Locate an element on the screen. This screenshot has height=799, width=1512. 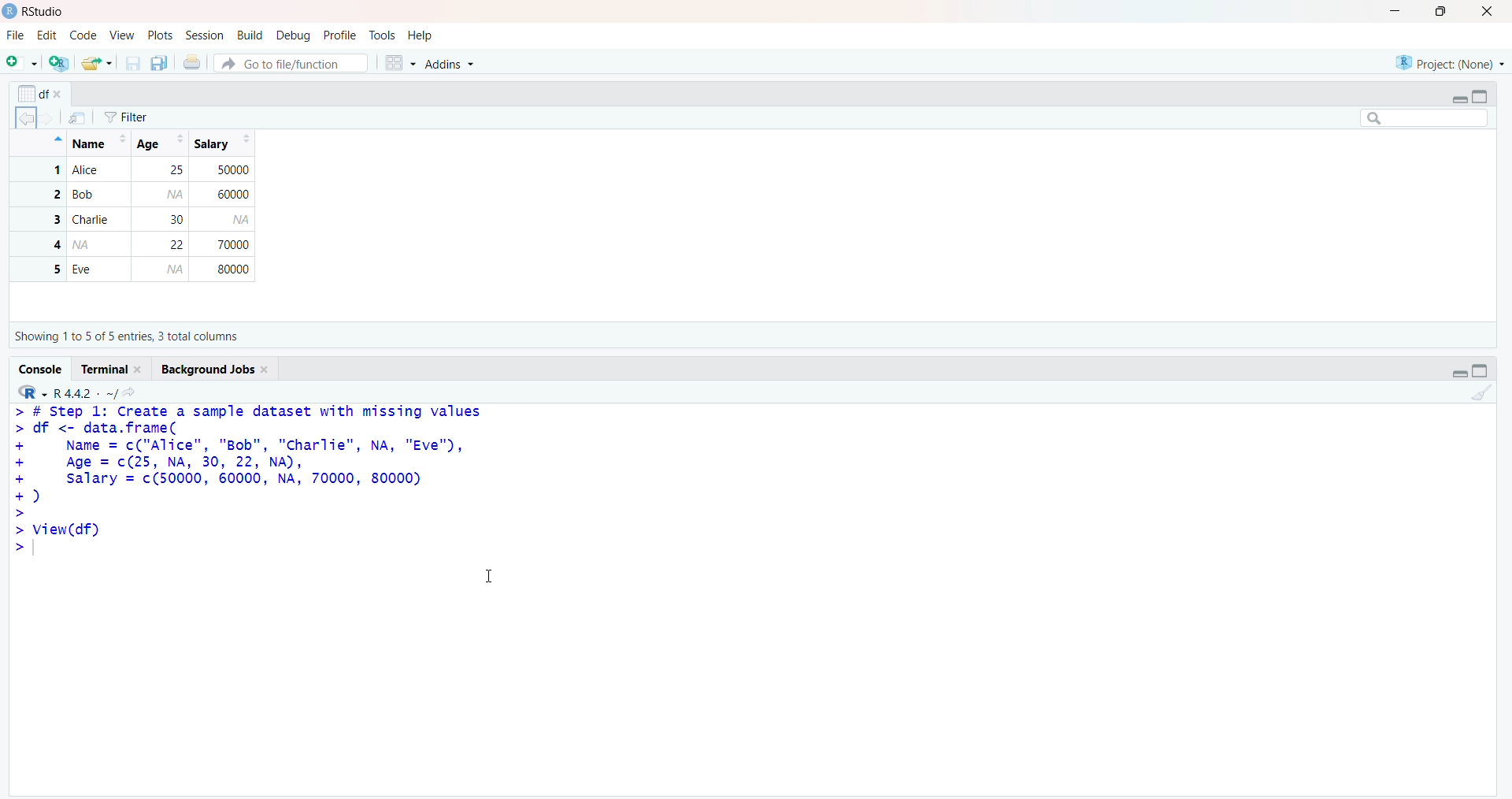
Show in new window is located at coordinates (82, 117).